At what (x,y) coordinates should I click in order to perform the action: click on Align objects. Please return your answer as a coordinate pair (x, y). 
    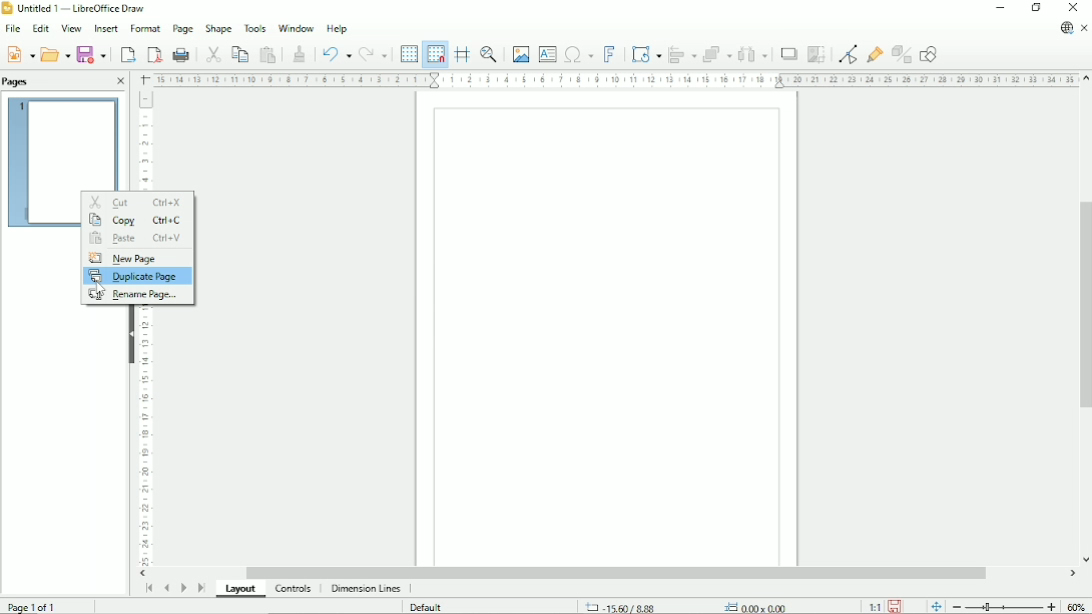
    Looking at the image, I should click on (683, 54).